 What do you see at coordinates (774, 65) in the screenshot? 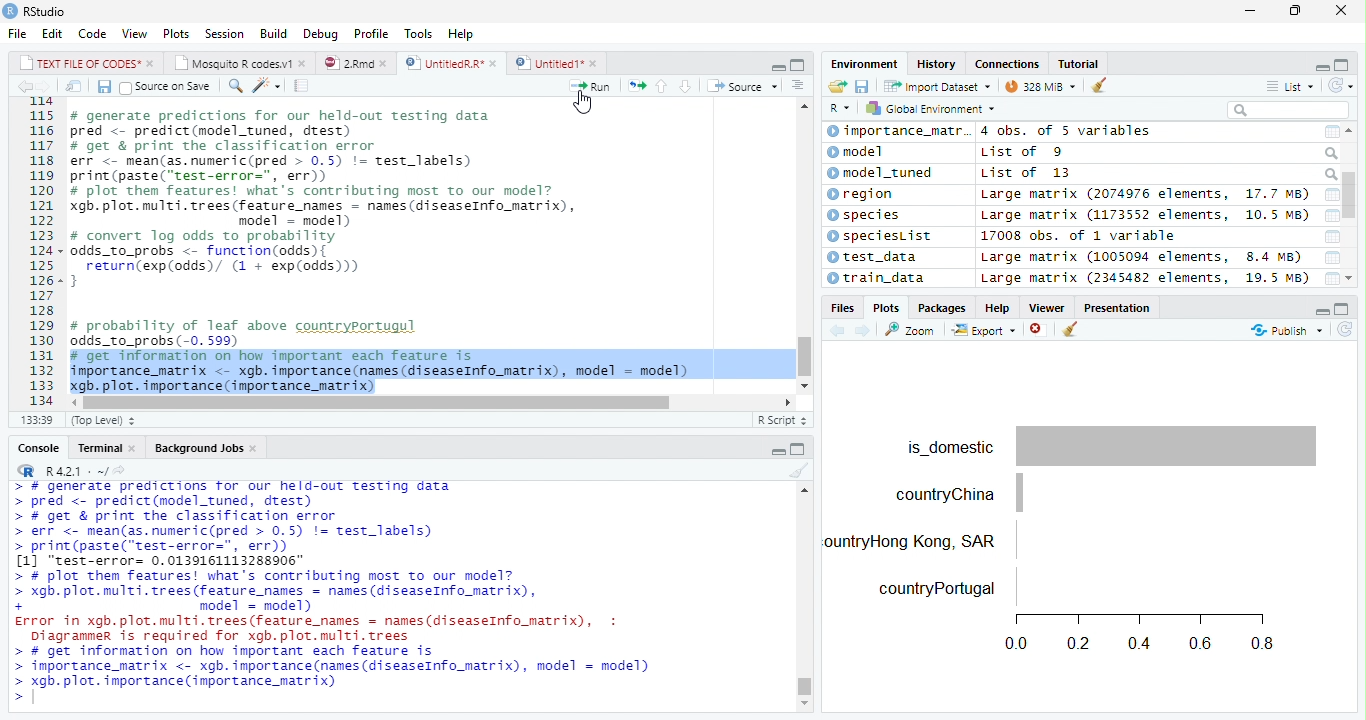
I see `Minimize` at bounding box center [774, 65].